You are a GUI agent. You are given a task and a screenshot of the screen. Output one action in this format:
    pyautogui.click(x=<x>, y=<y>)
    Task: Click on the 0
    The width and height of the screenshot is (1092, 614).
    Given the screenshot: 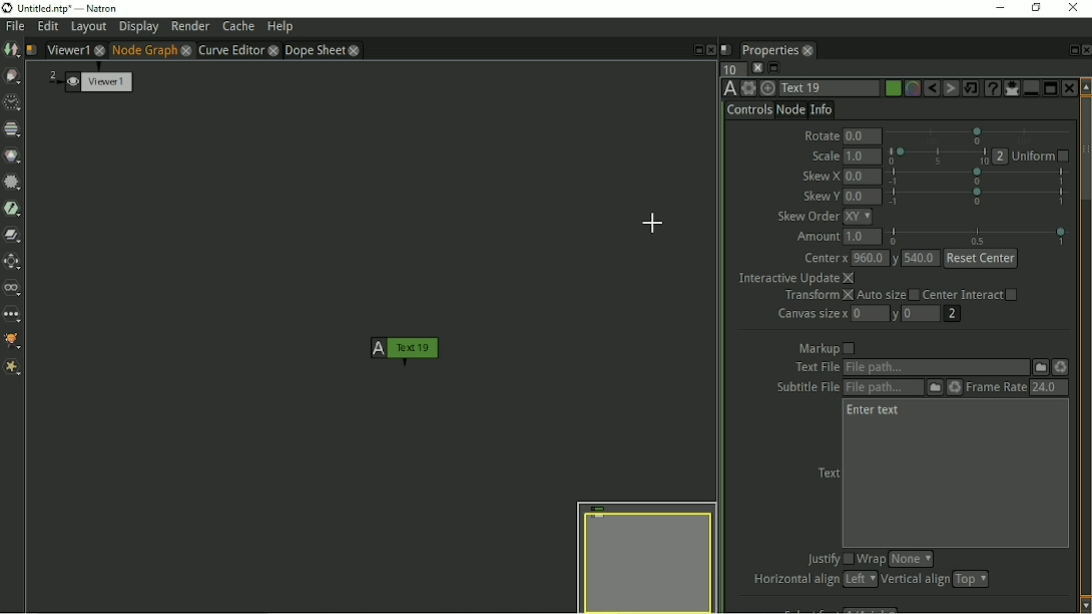 What is the action you would take?
    pyautogui.click(x=919, y=313)
    